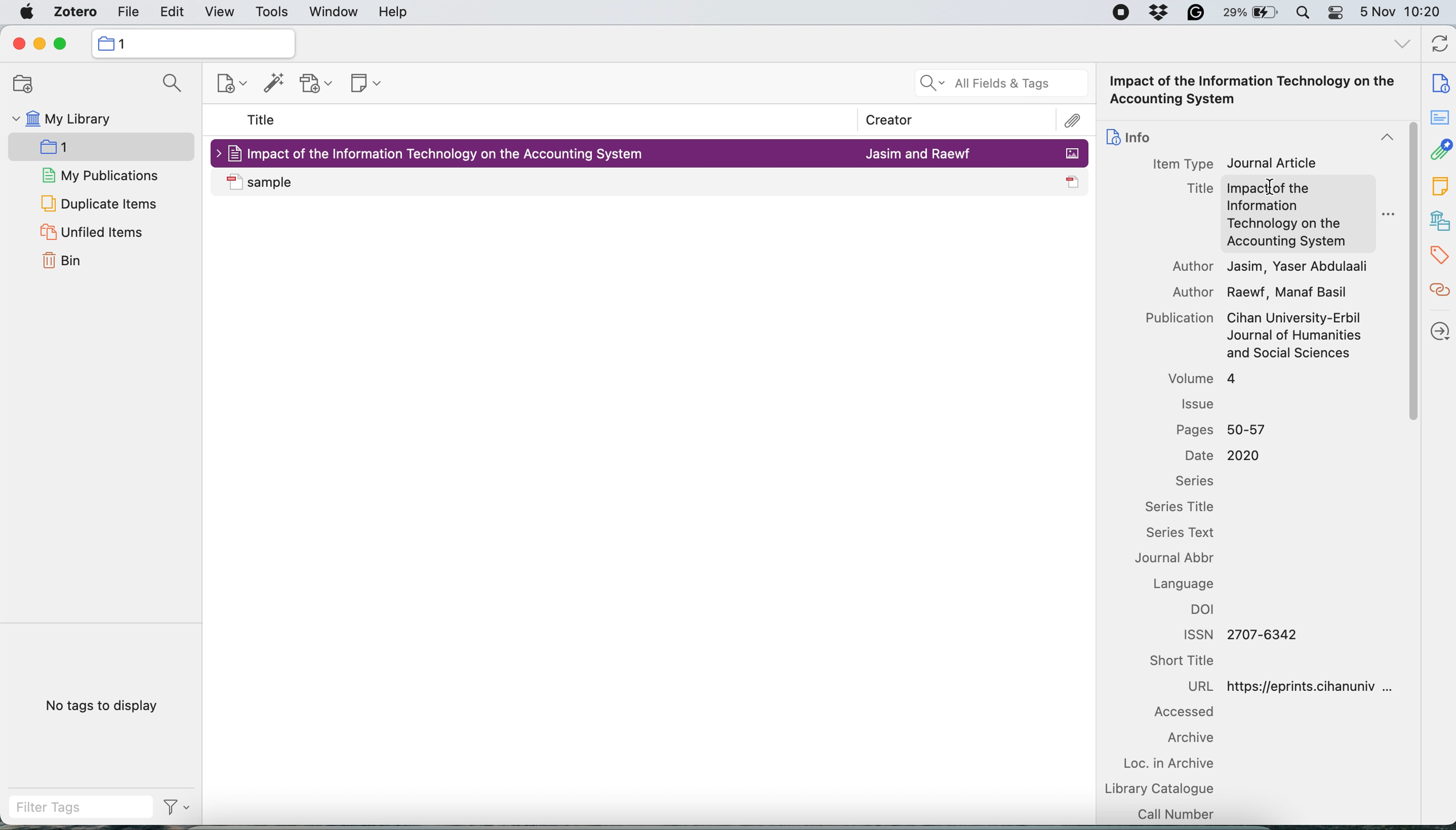  Describe the element at coordinates (1220, 430) in the screenshot. I see `Pages 50-57` at that location.